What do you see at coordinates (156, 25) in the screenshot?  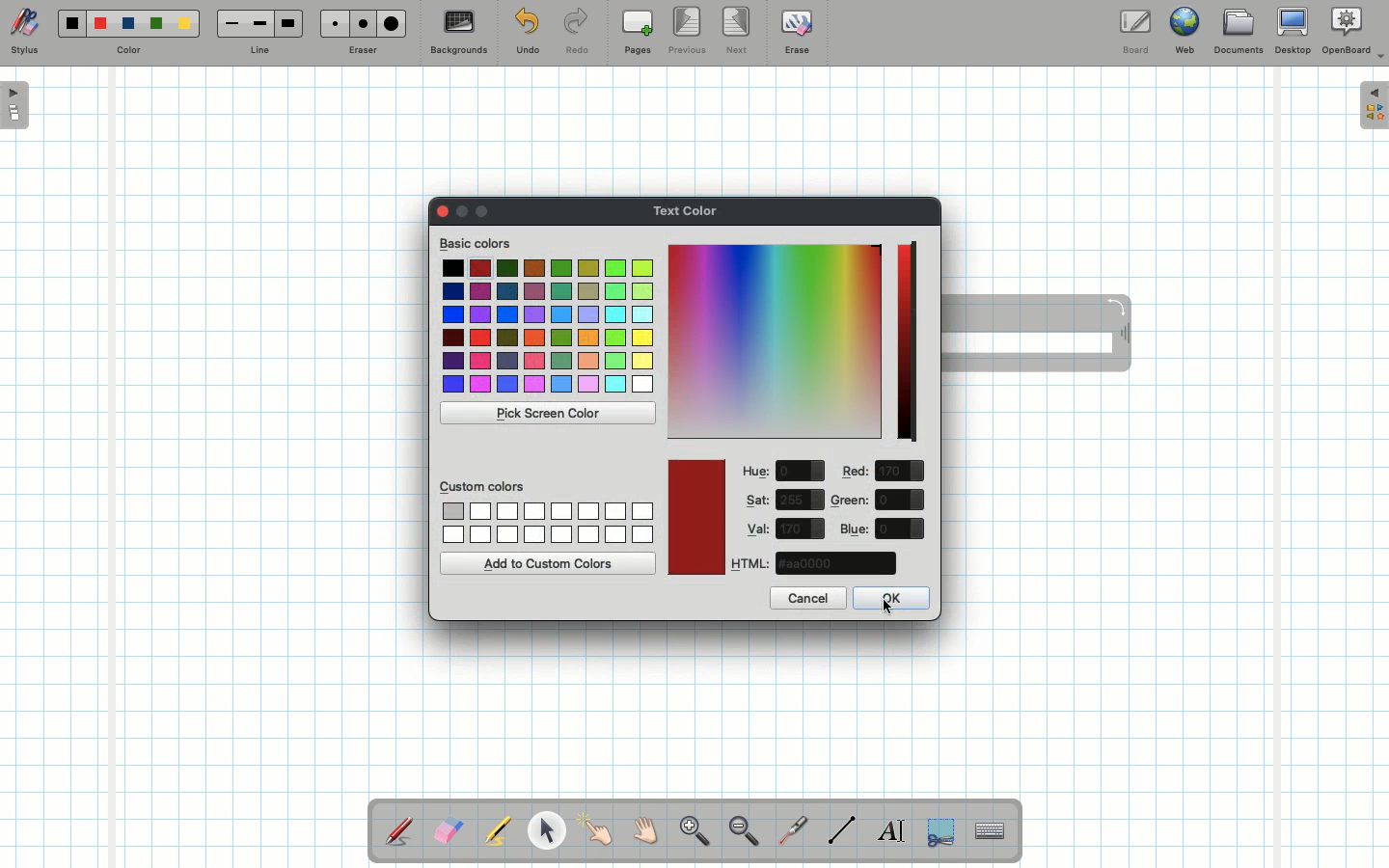 I see `Green` at bounding box center [156, 25].